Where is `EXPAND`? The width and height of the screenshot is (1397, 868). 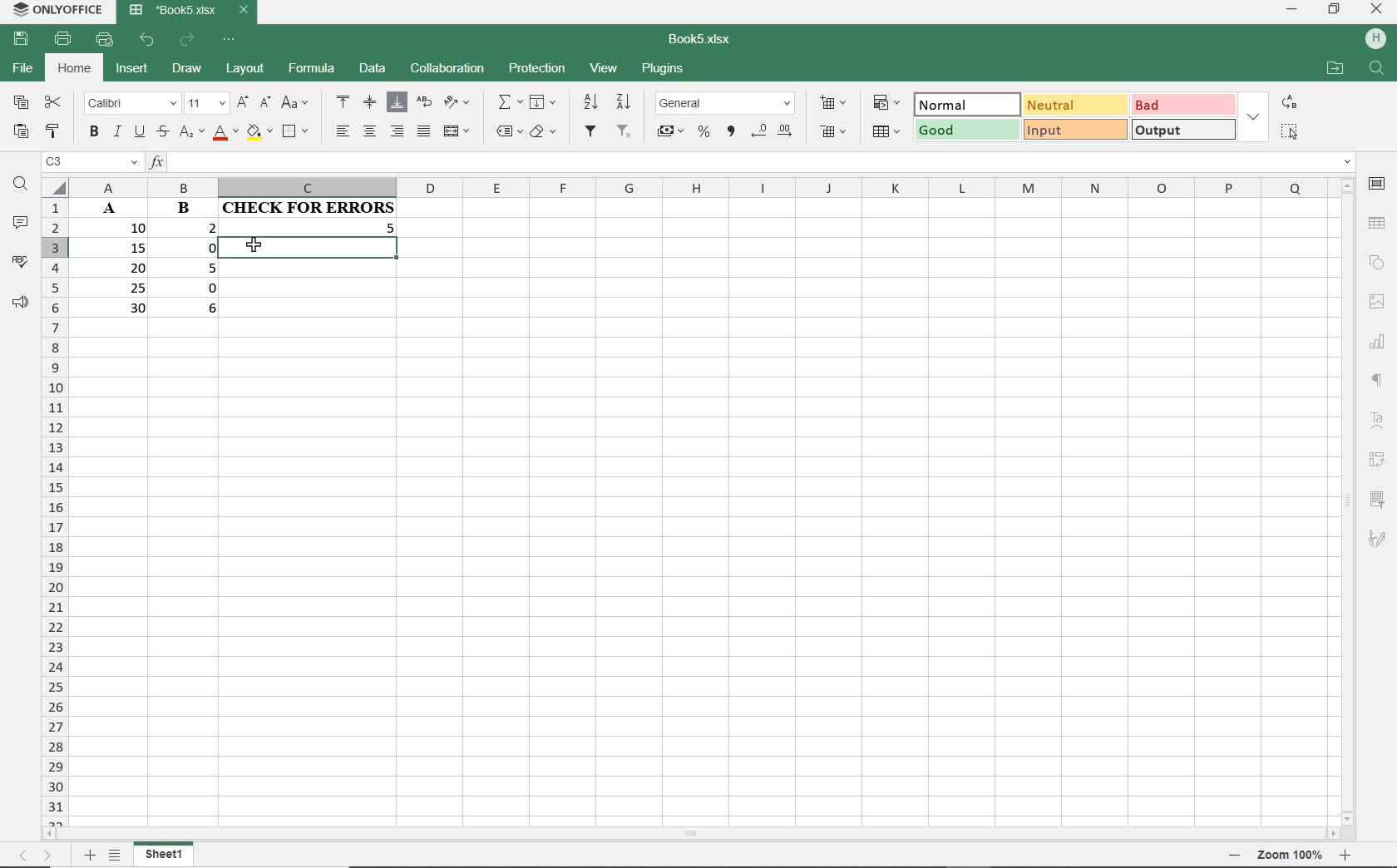 EXPAND is located at coordinates (1254, 115).